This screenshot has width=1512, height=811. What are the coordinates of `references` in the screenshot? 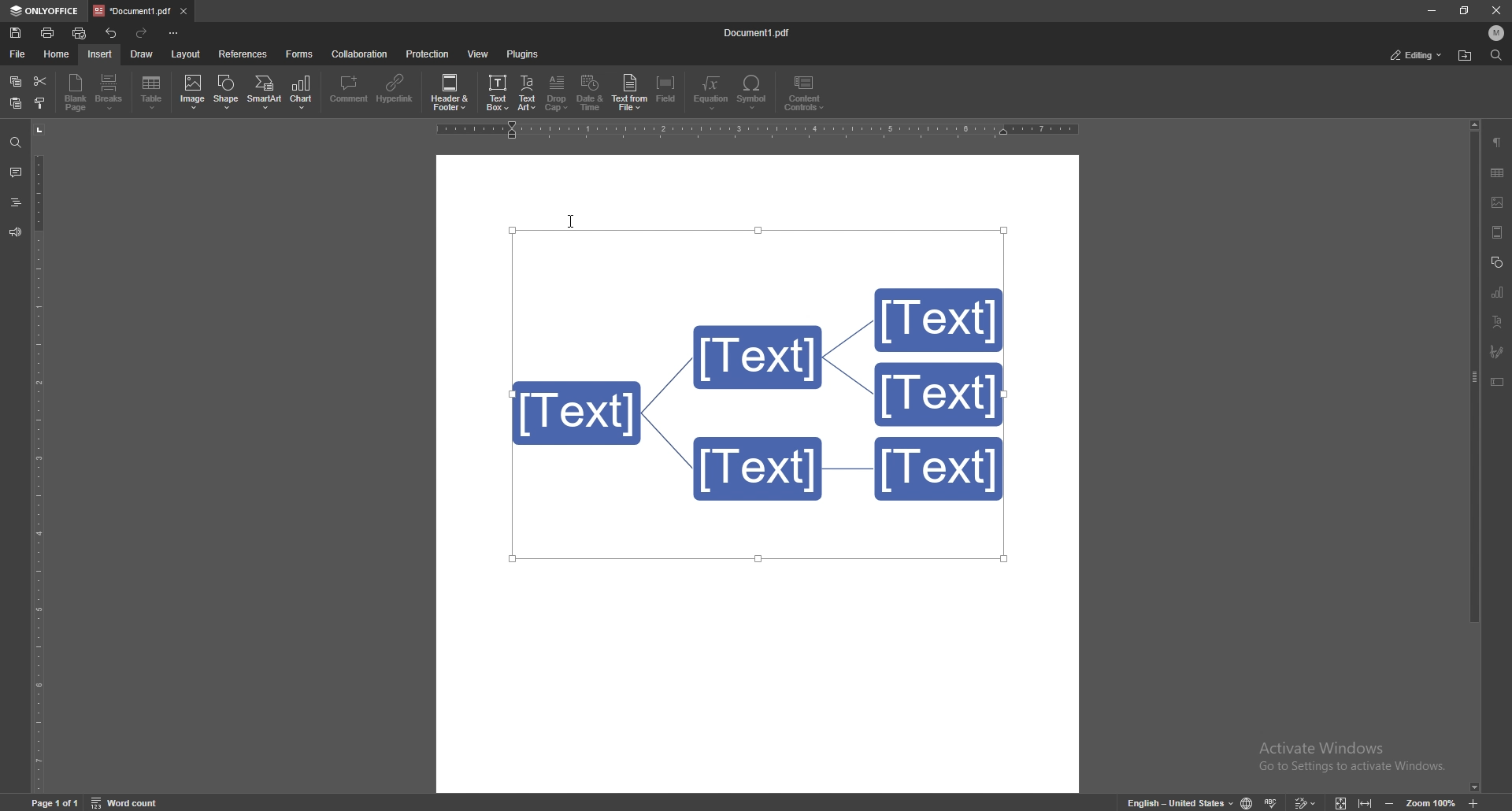 It's located at (243, 54).